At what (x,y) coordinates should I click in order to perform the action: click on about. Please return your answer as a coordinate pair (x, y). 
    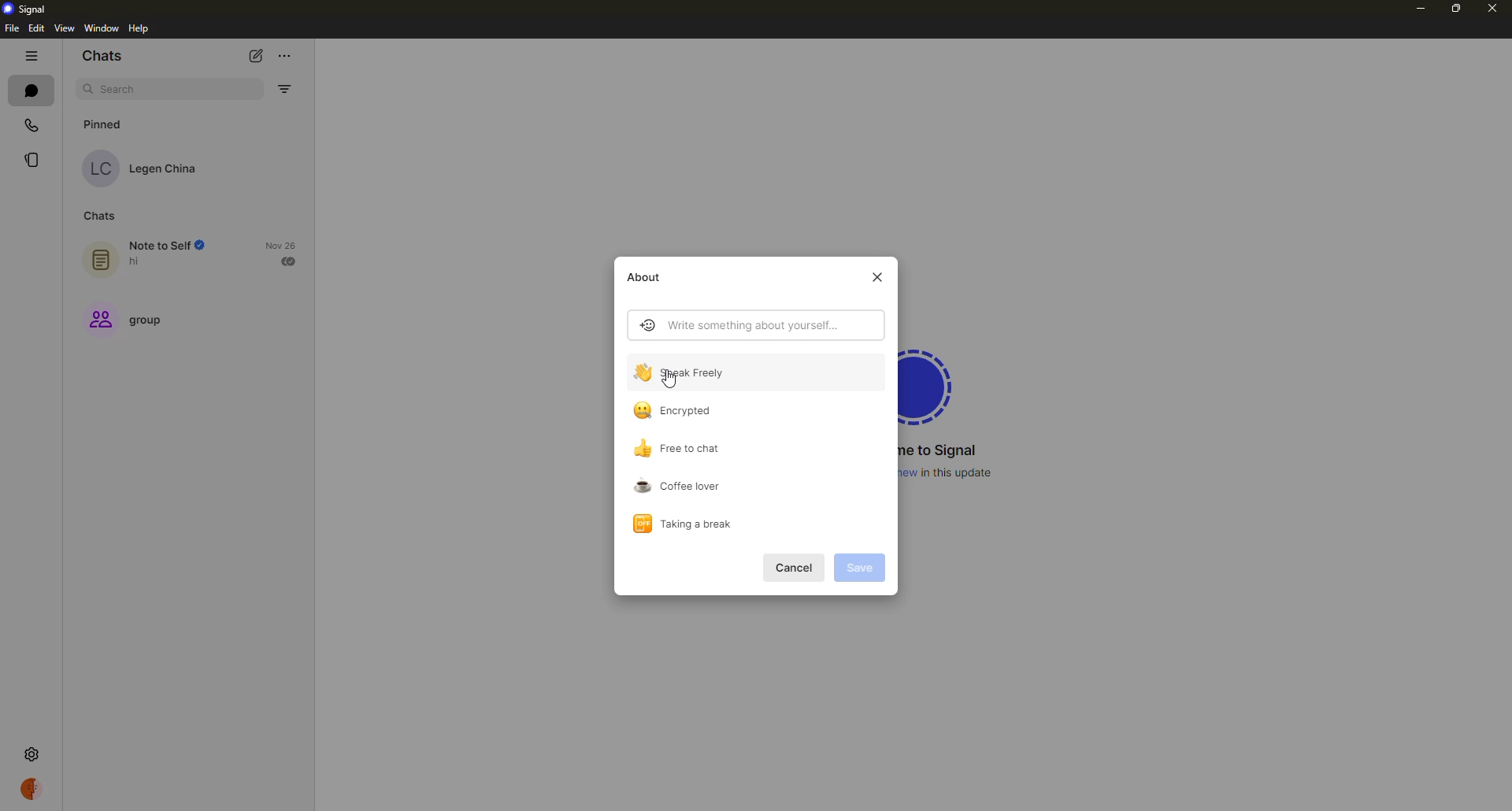
    Looking at the image, I should click on (649, 278).